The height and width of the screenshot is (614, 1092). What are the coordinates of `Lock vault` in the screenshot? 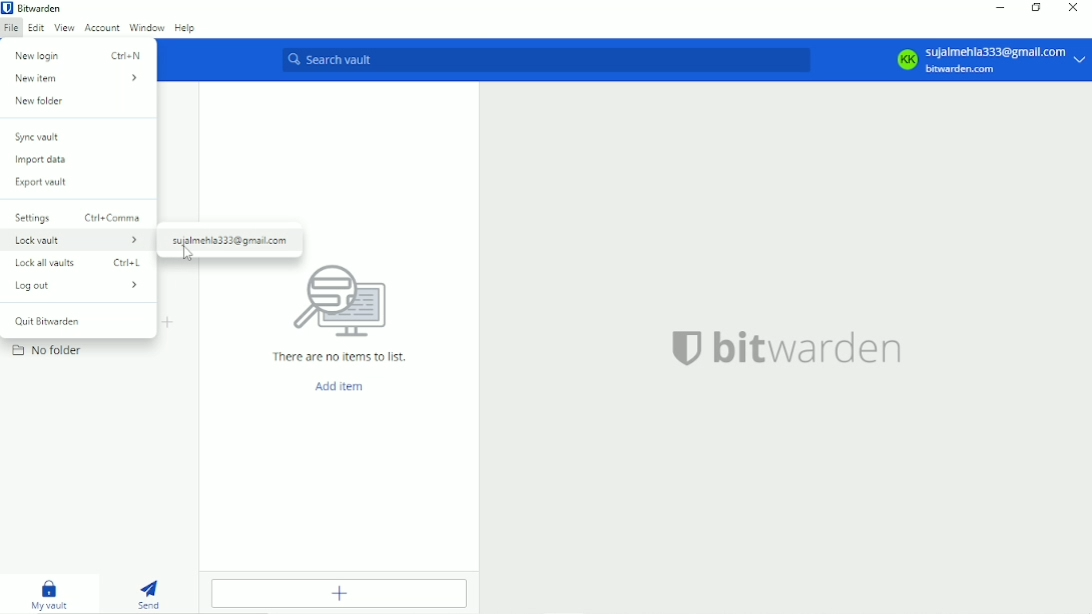 It's located at (77, 241).